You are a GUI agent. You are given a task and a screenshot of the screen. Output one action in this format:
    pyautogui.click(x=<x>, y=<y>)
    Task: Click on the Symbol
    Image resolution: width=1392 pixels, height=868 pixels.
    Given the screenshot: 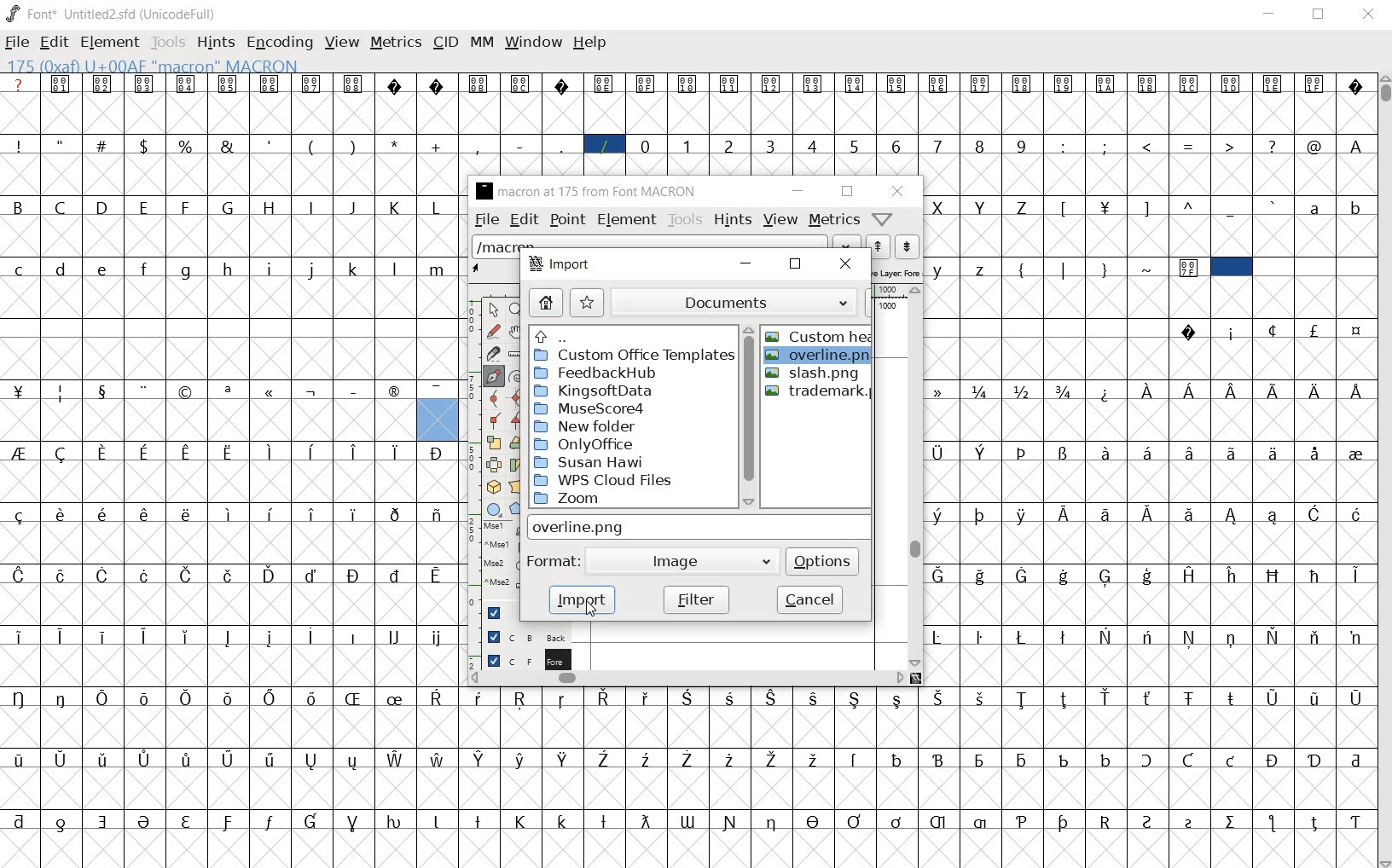 What is the action you would take?
    pyautogui.click(x=1273, y=515)
    